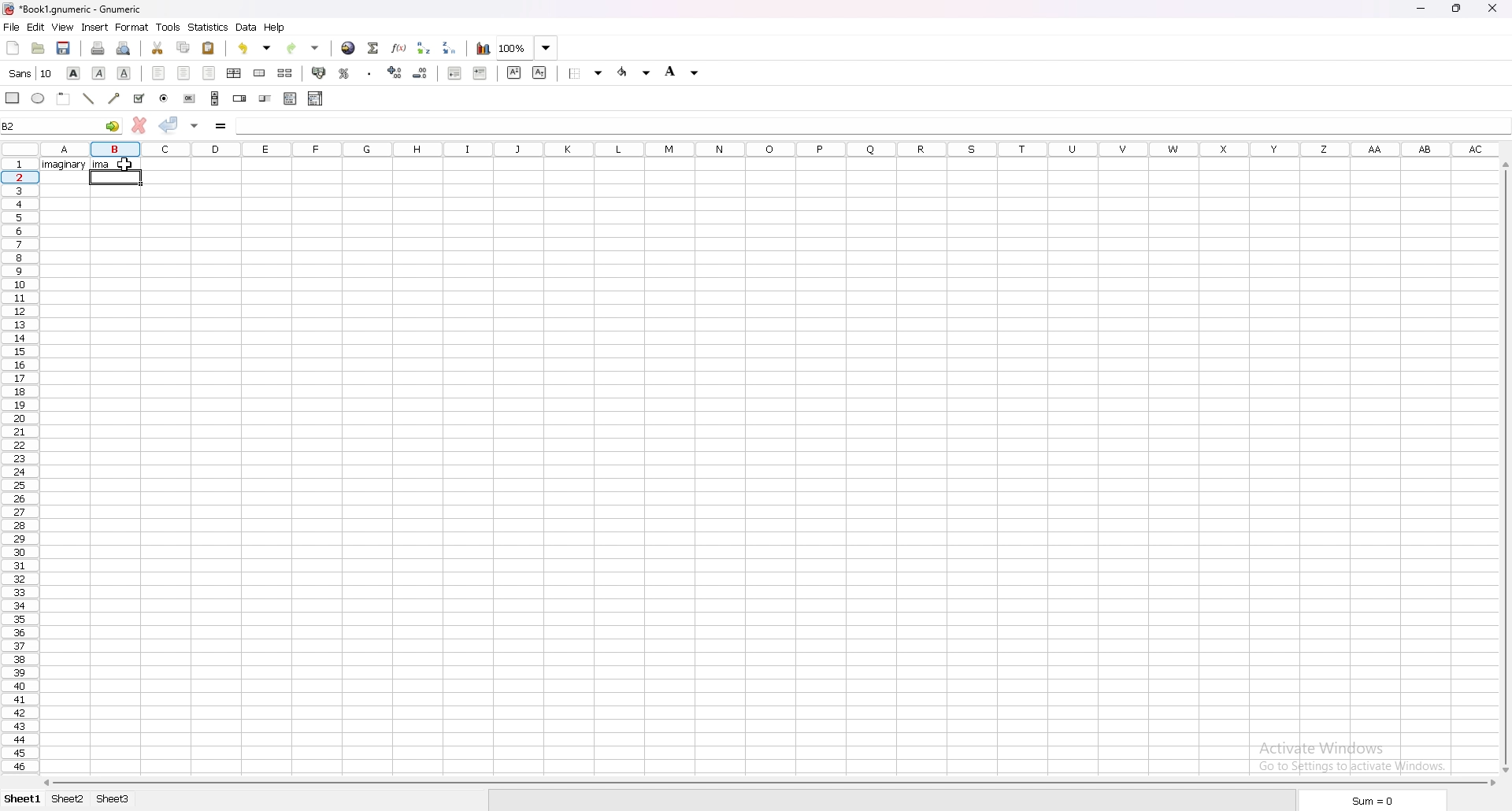 The height and width of the screenshot is (811, 1512). What do you see at coordinates (633, 72) in the screenshot?
I see `foreground` at bounding box center [633, 72].